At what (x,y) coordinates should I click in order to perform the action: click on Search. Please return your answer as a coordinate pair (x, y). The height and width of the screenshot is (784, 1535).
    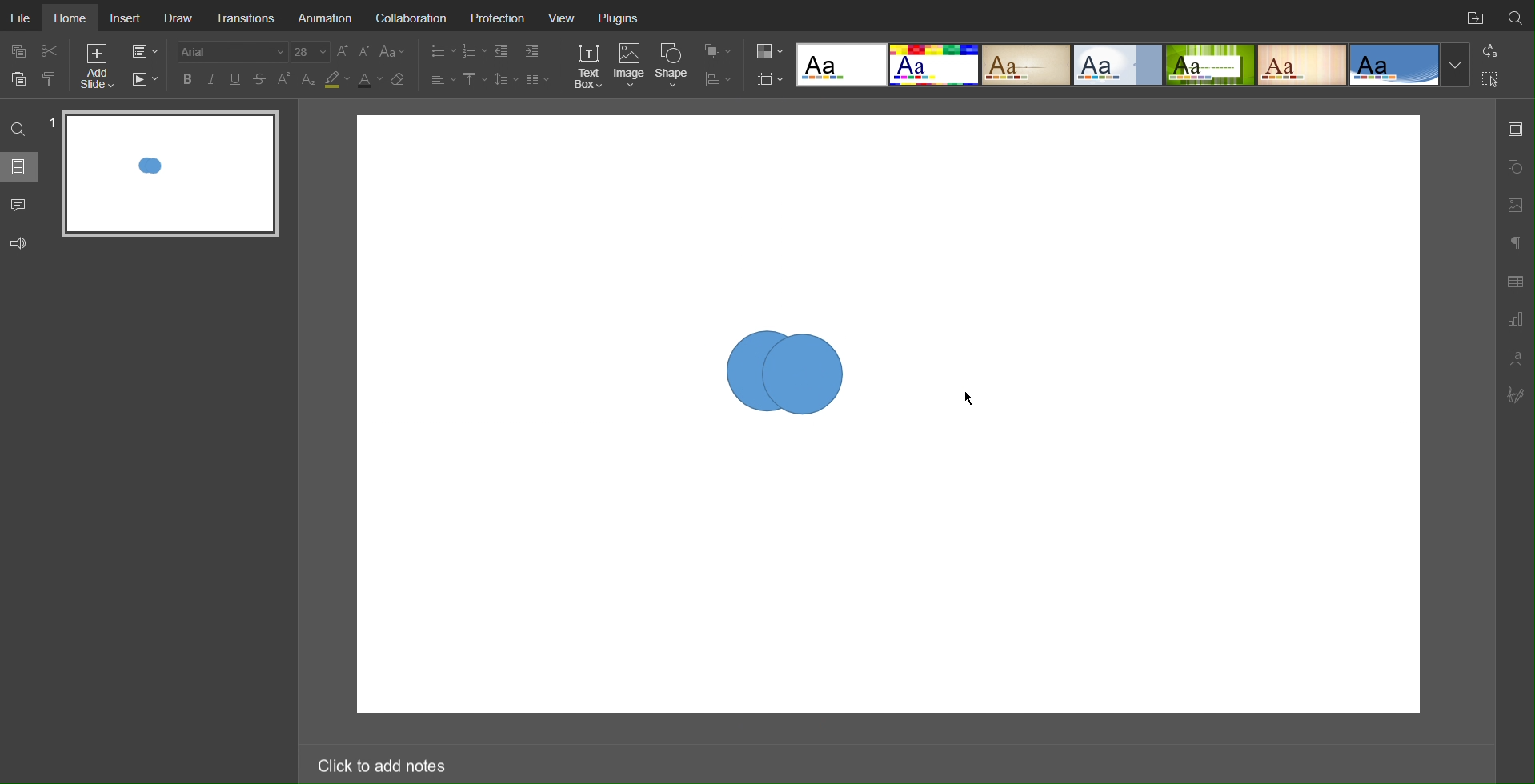
    Looking at the image, I should click on (1516, 15).